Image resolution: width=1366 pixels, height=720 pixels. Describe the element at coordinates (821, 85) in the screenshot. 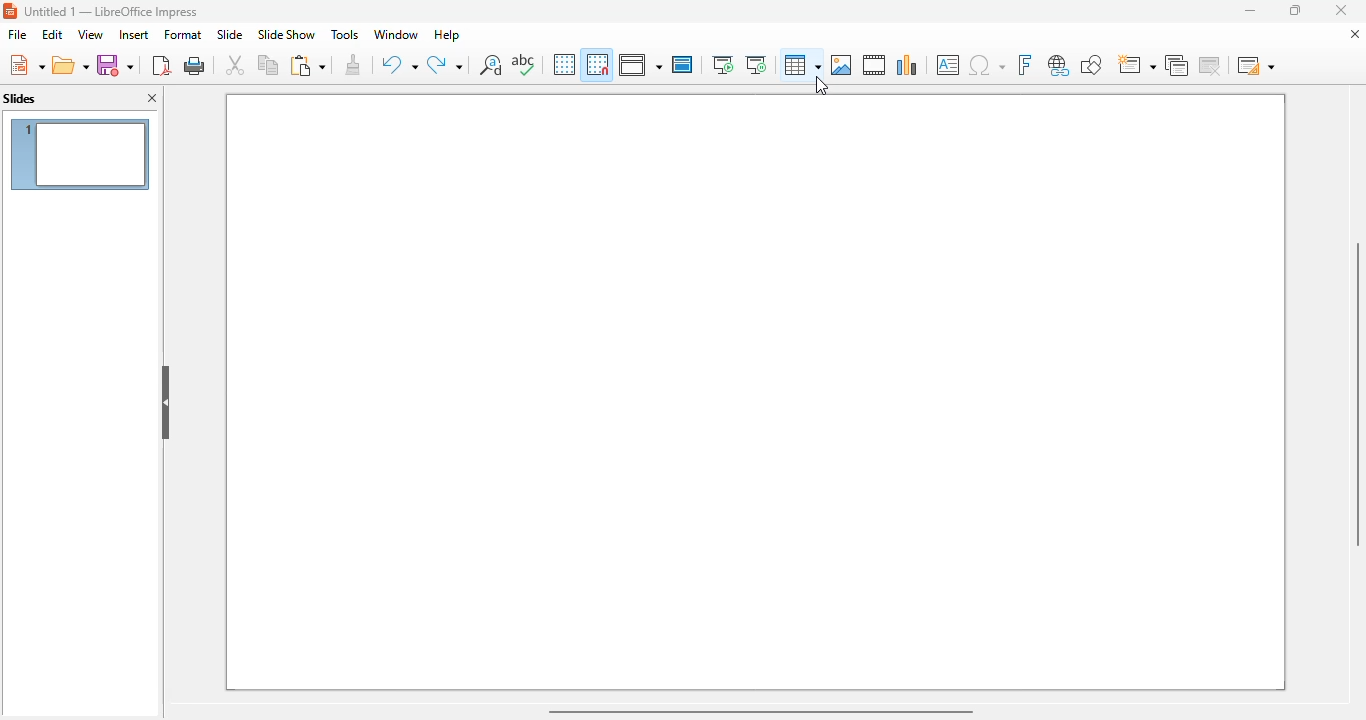

I see `cursor` at that location.